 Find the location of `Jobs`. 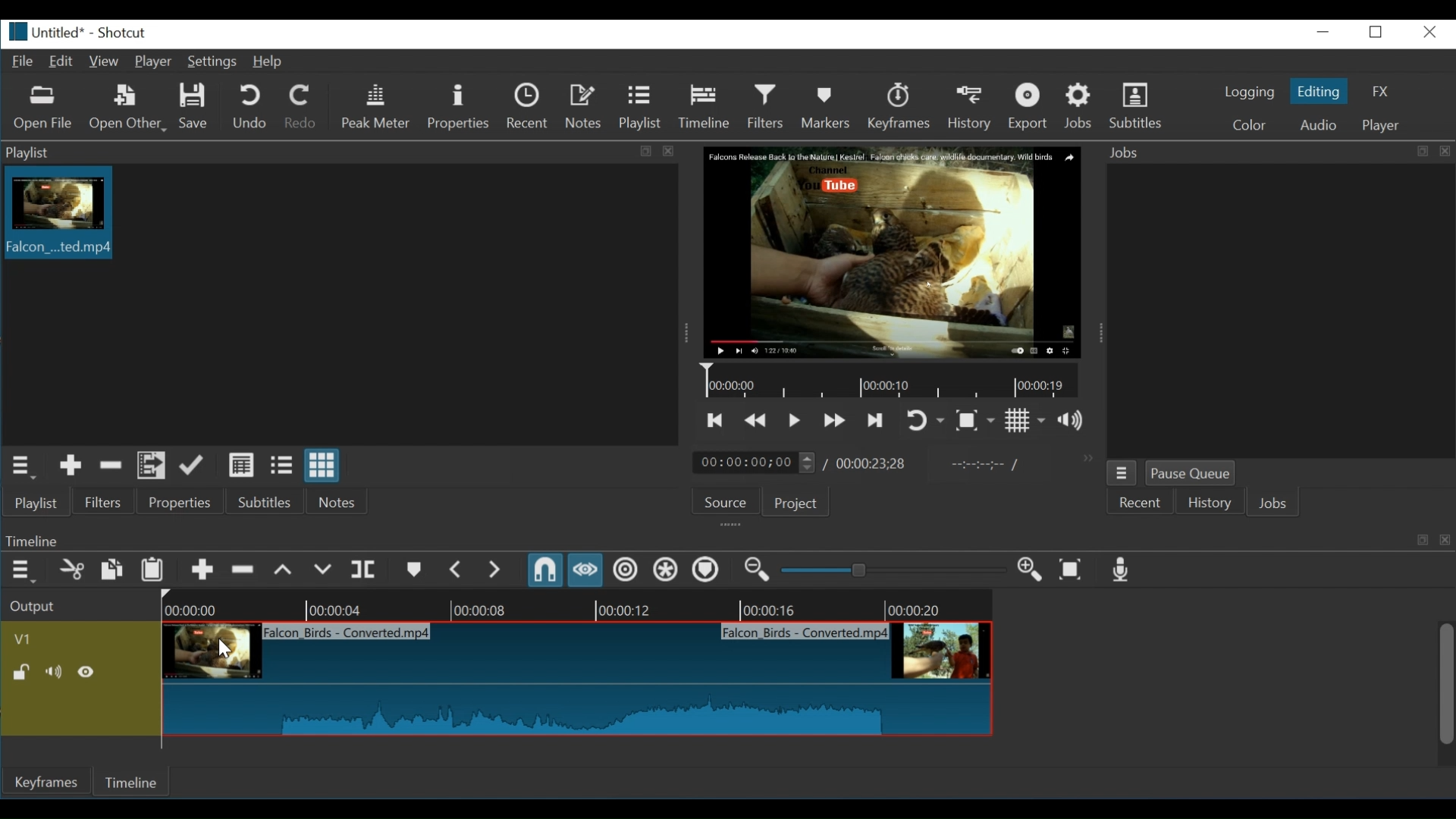

Jobs is located at coordinates (1080, 106).